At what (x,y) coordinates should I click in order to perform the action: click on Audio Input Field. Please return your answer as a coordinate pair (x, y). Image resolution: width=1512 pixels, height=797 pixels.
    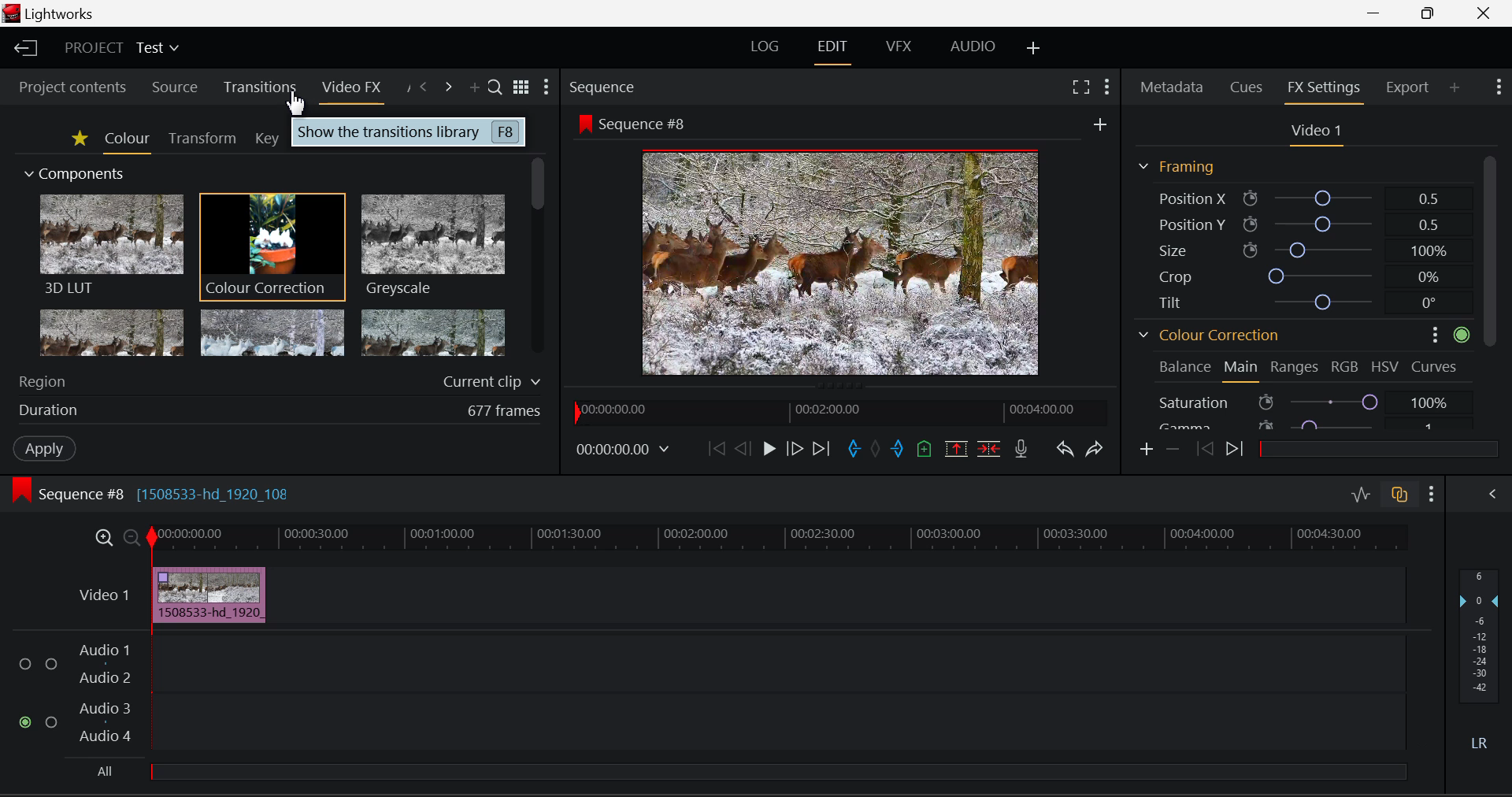
    Looking at the image, I should click on (776, 724).